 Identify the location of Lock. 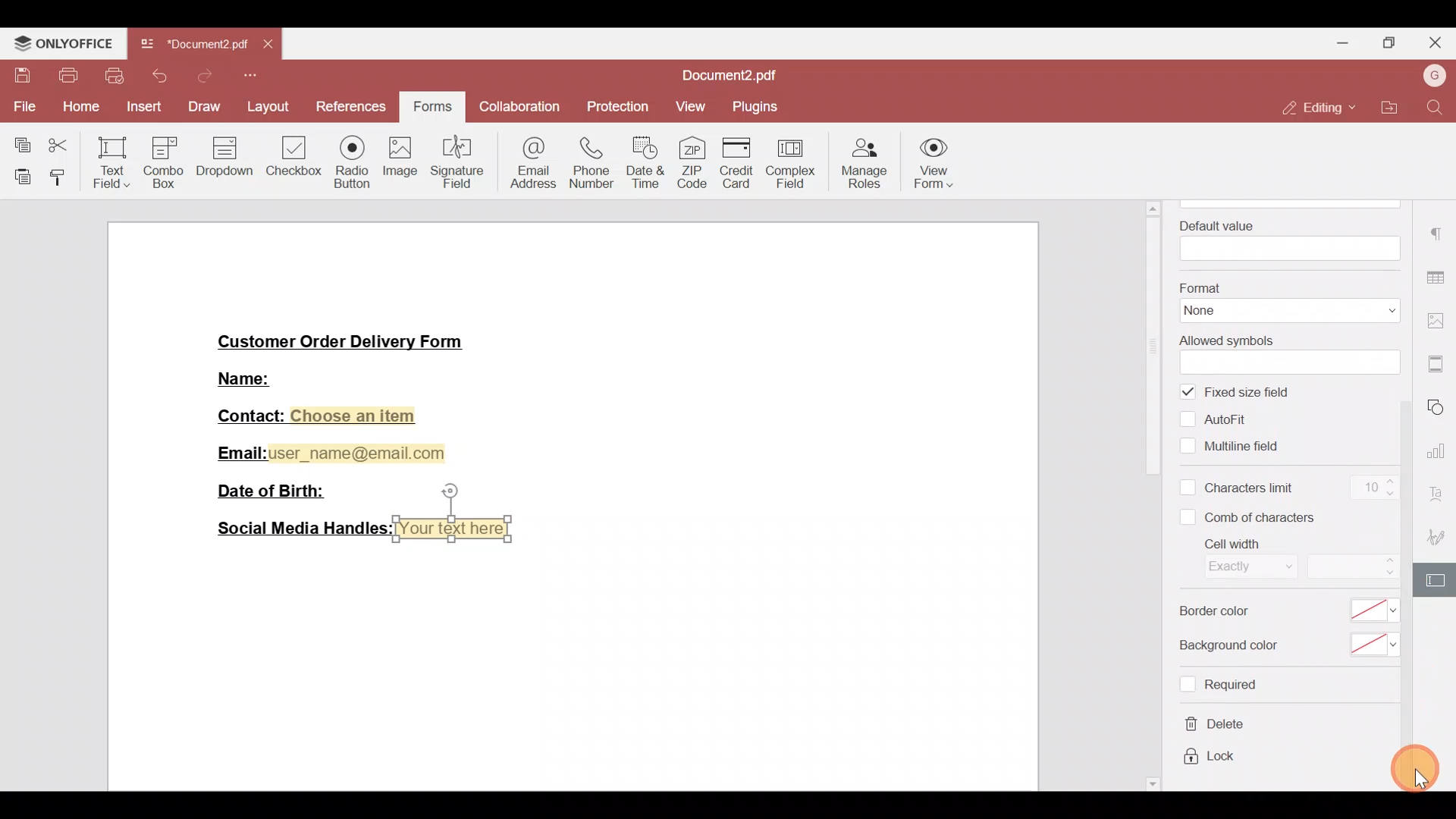
(1211, 759).